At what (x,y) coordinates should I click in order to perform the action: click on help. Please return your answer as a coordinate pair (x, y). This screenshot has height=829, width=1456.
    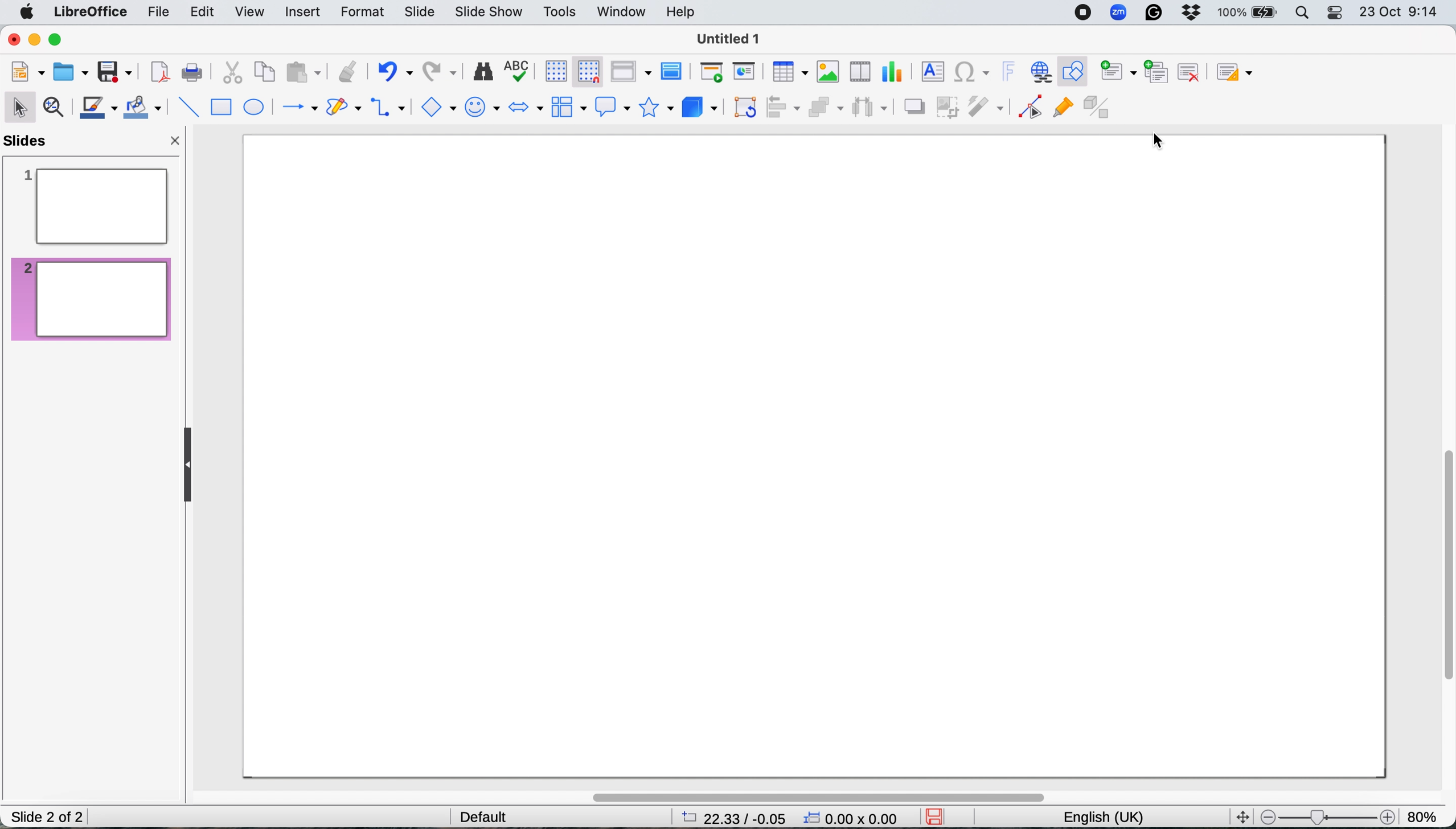
    Looking at the image, I should click on (683, 12).